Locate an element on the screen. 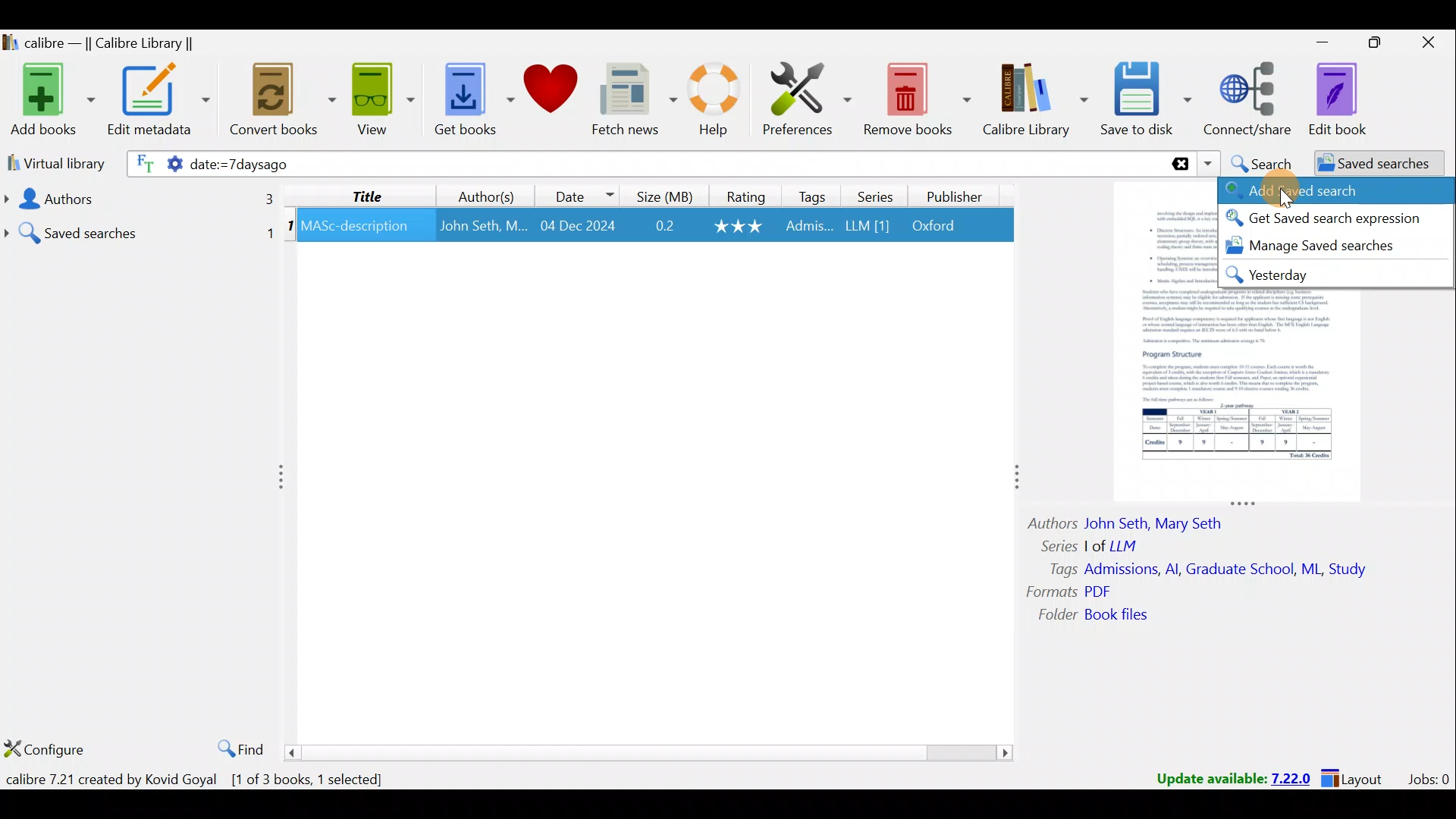  Series | of LLM is located at coordinates (1097, 544).